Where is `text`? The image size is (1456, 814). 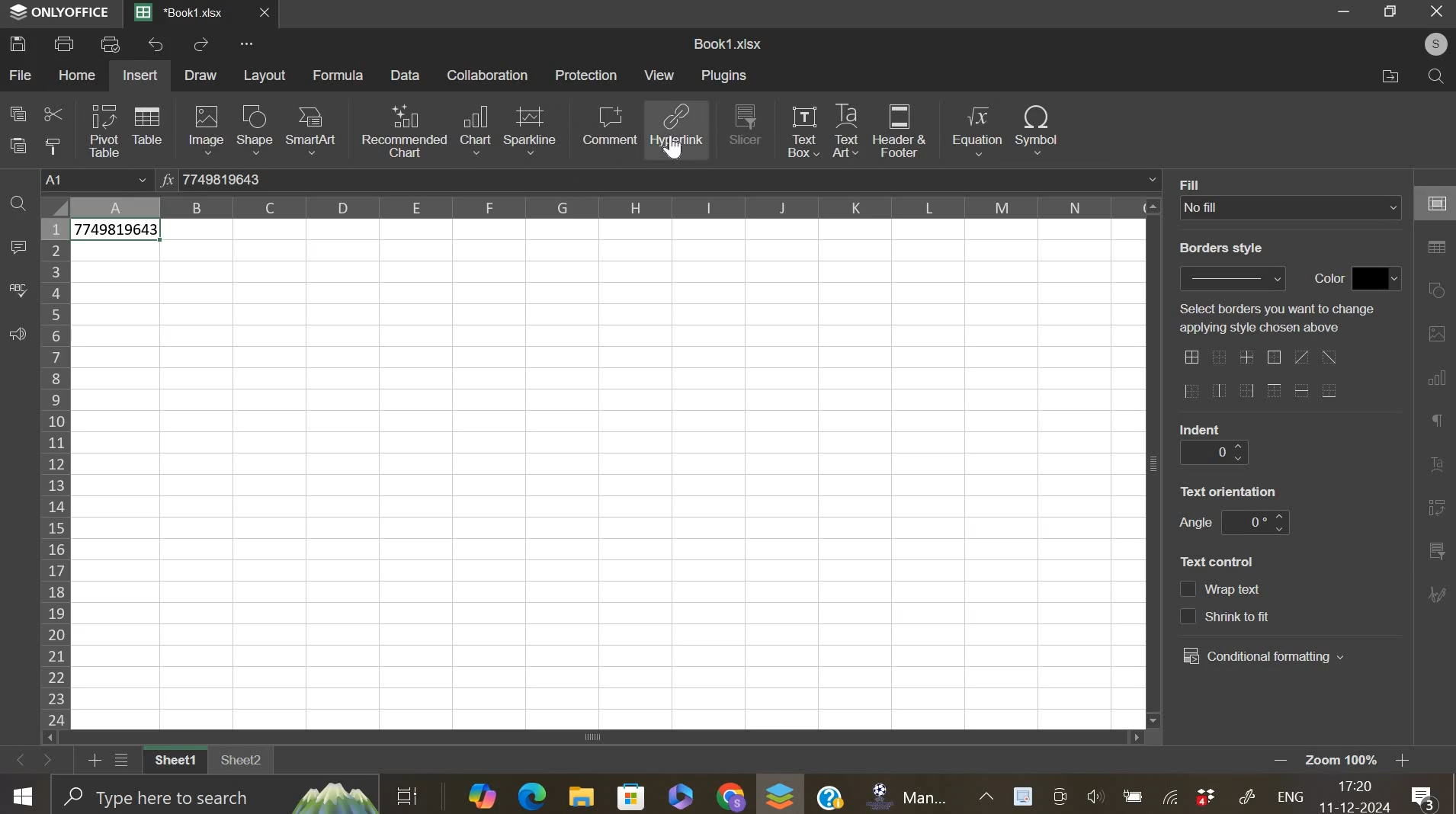 text is located at coordinates (1220, 248).